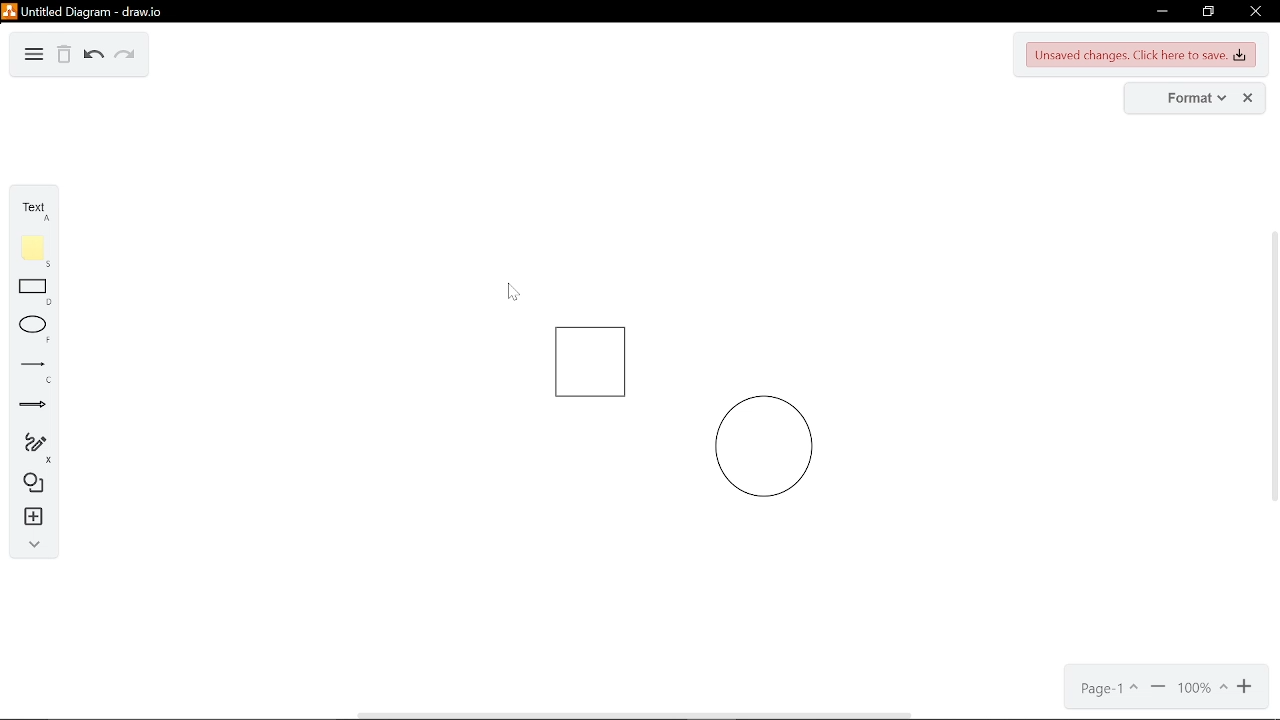  What do you see at coordinates (1161, 13) in the screenshot?
I see `minimize` at bounding box center [1161, 13].